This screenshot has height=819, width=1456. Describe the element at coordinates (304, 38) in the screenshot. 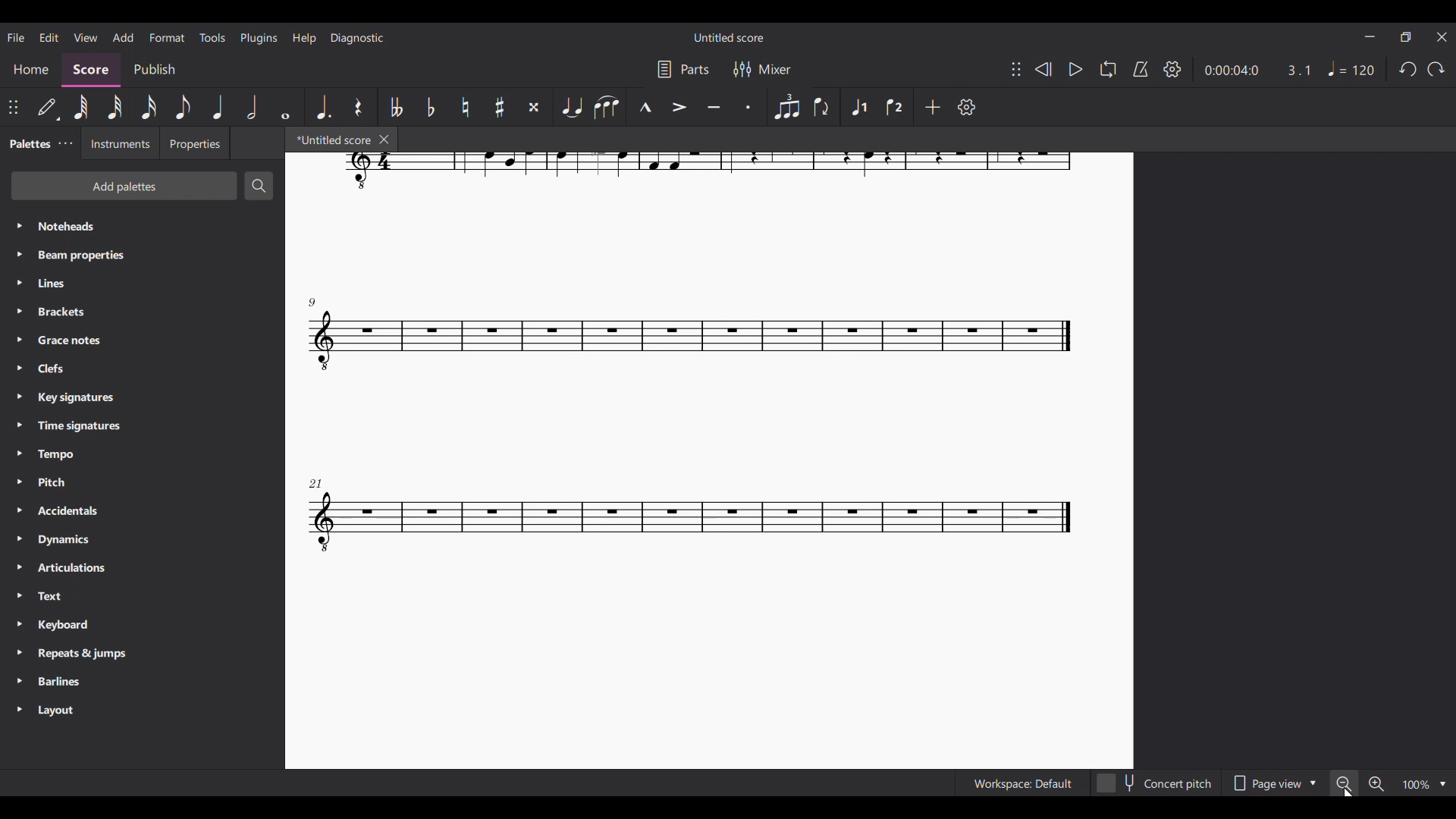

I see `Help menu` at that location.